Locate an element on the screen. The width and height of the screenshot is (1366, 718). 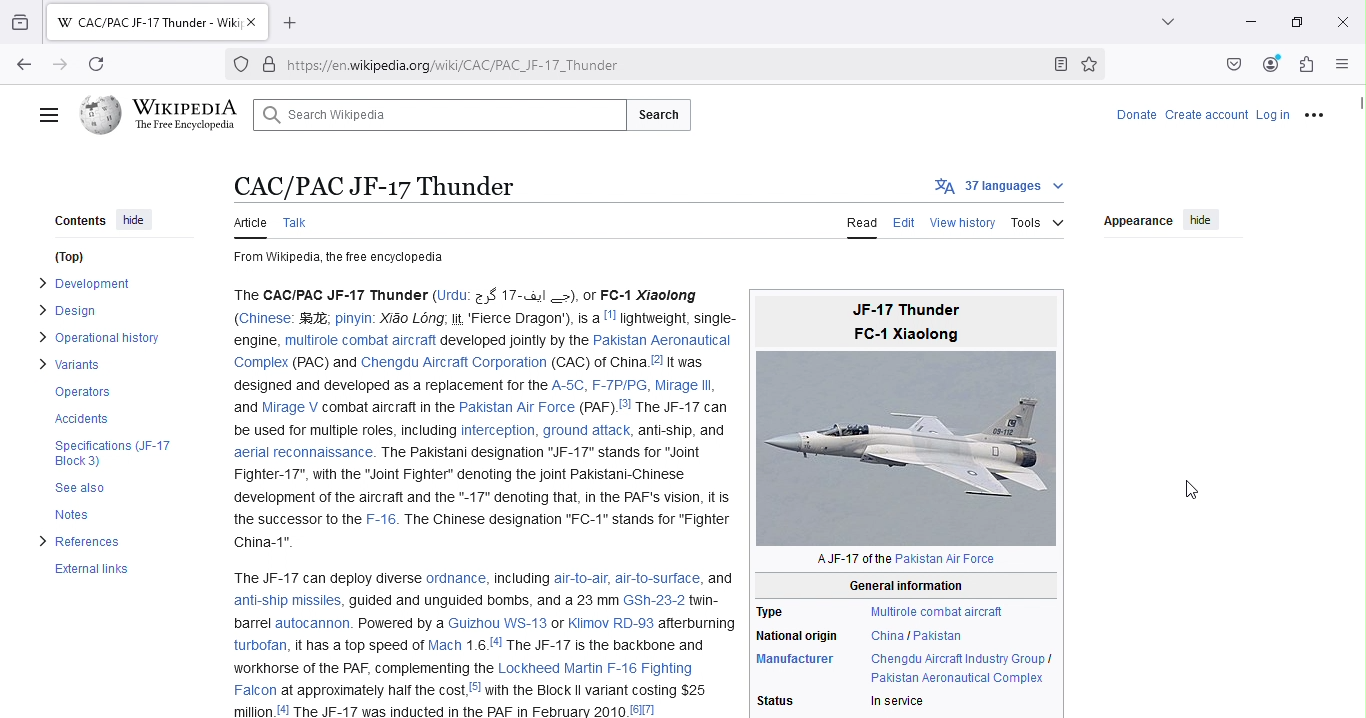
edit is located at coordinates (905, 223).